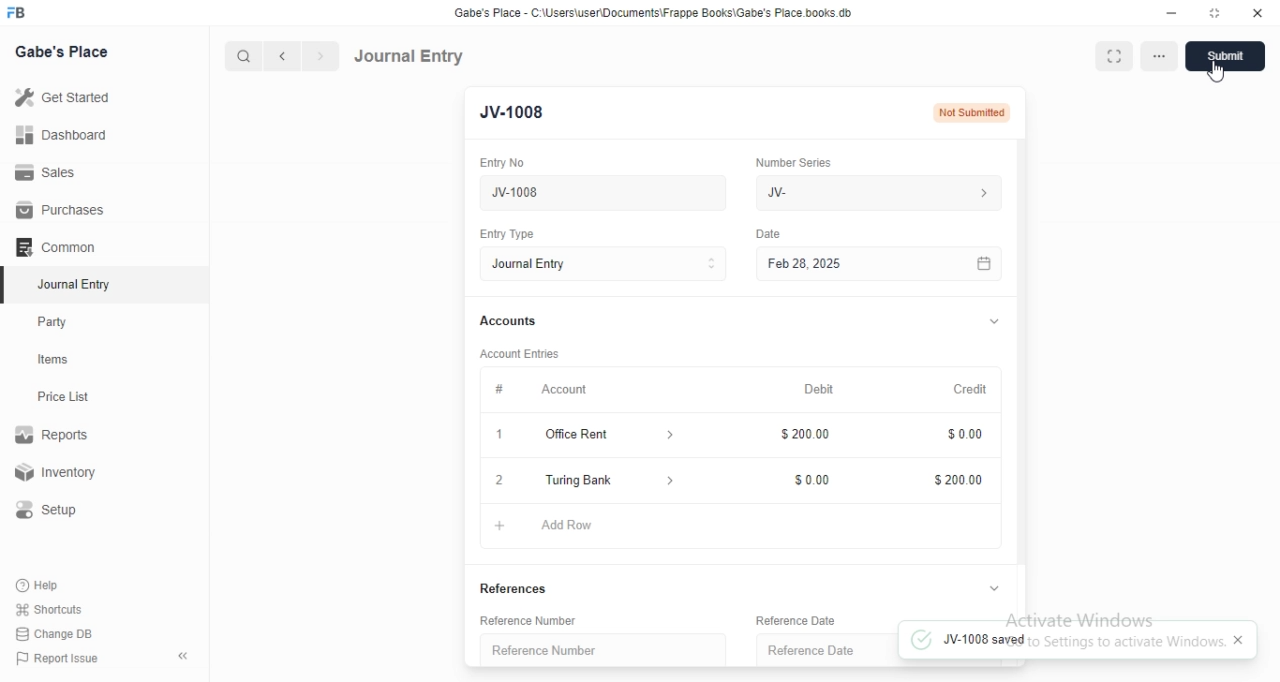  I want to click on Debit, so click(821, 389).